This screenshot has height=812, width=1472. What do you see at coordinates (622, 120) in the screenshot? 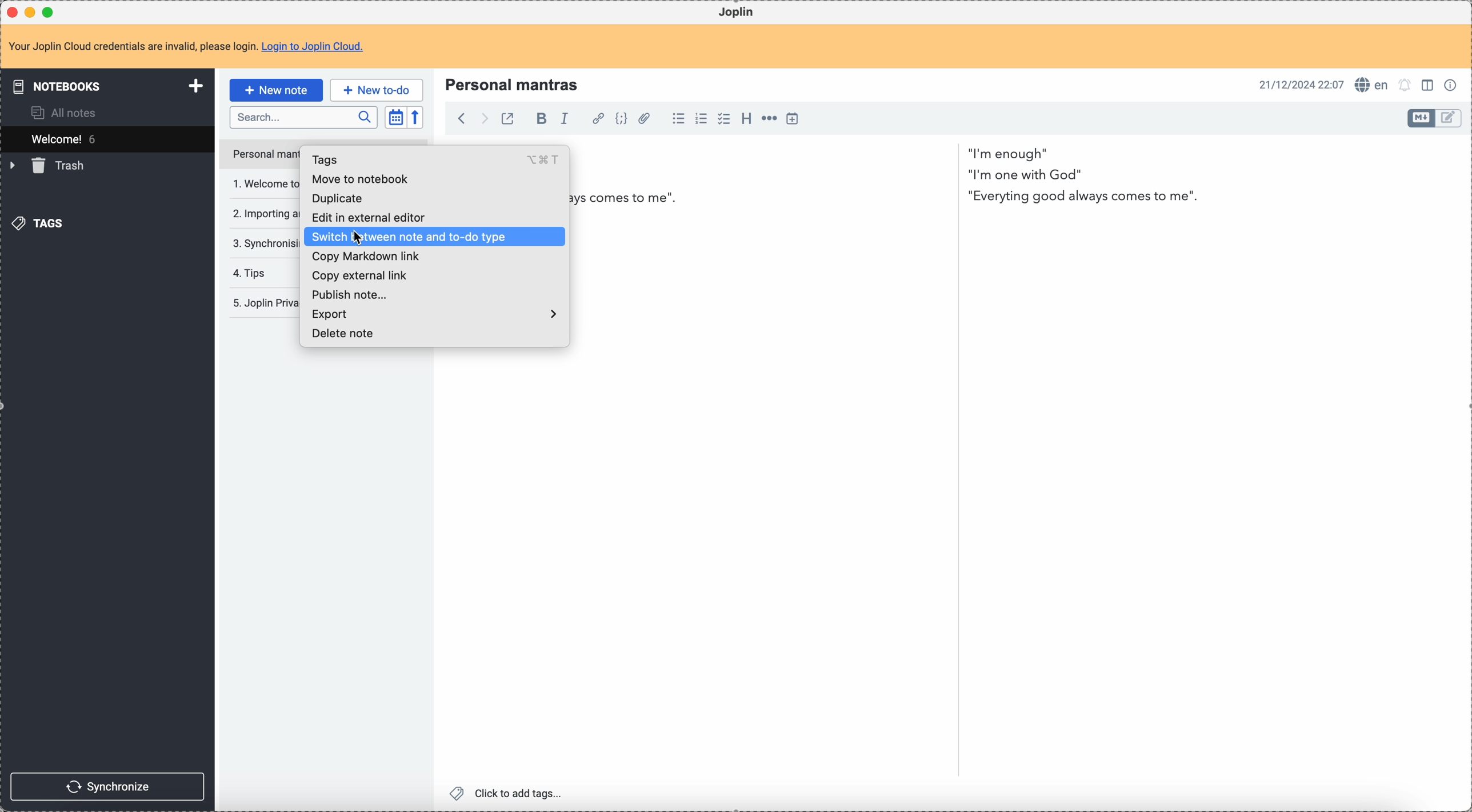
I see `code` at bounding box center [622, 120].